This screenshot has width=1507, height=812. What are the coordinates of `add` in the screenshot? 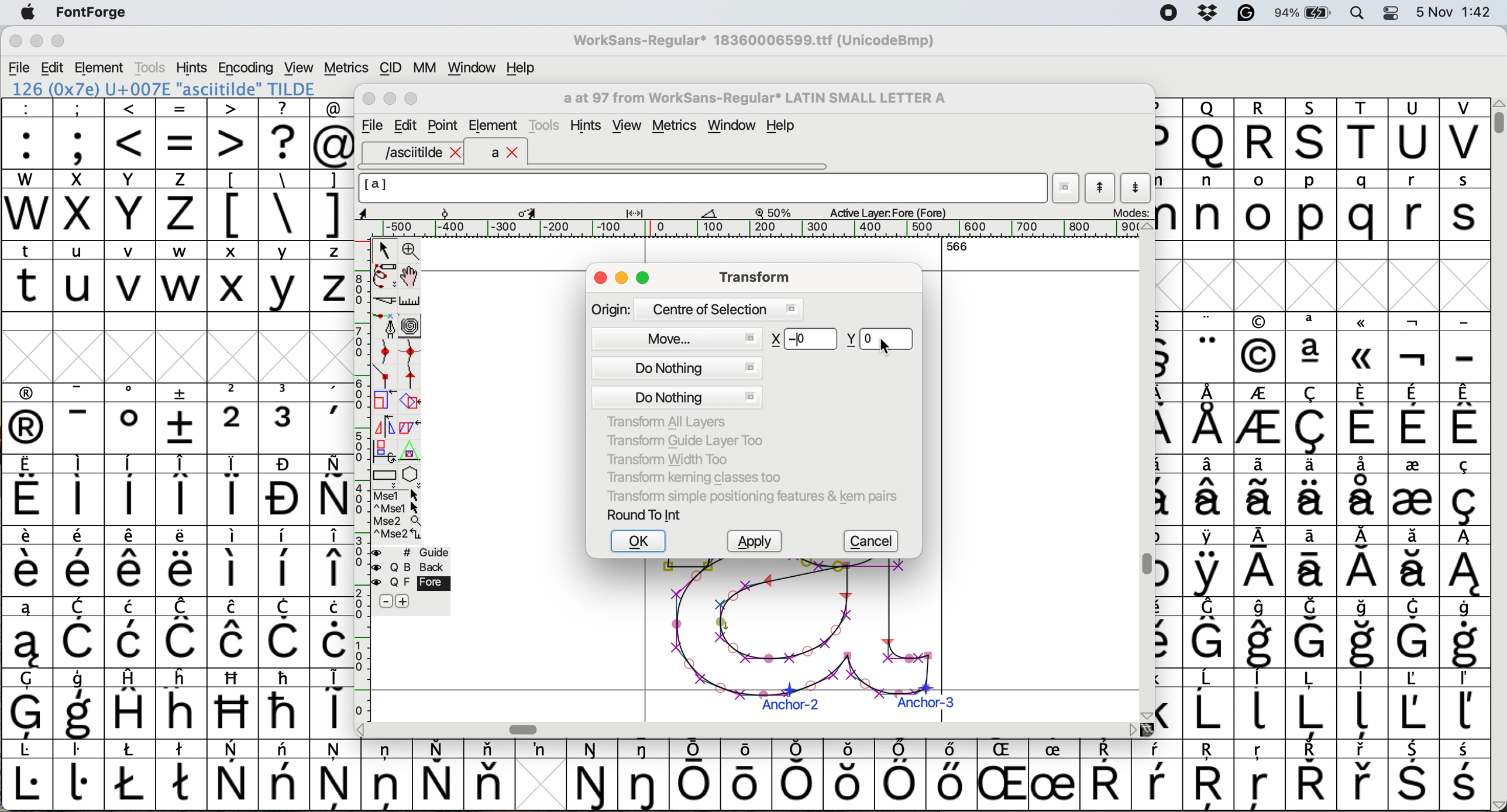 It's located at (404, 601).